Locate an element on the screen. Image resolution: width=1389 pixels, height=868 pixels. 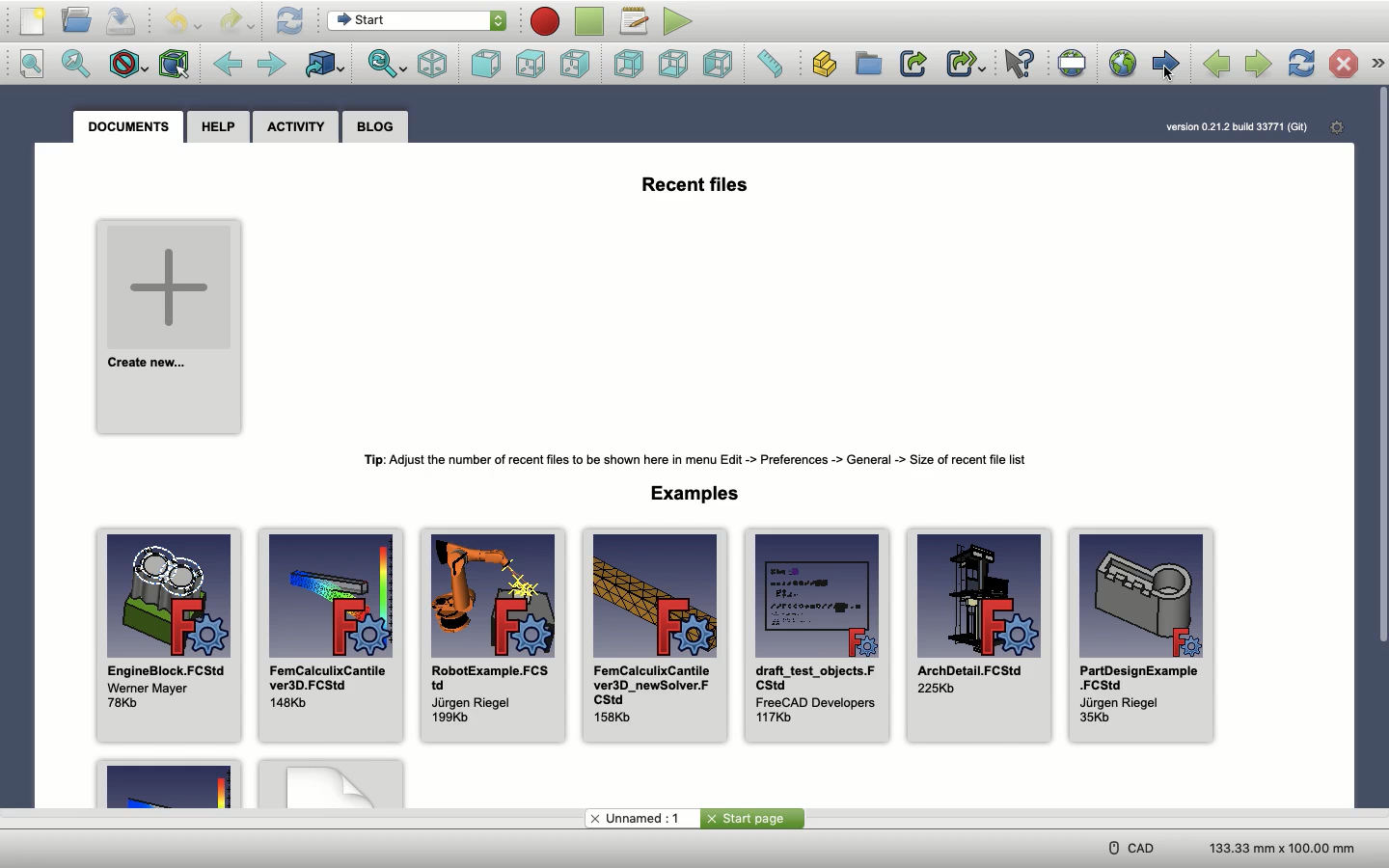
New is located at coordinates (34, 21).